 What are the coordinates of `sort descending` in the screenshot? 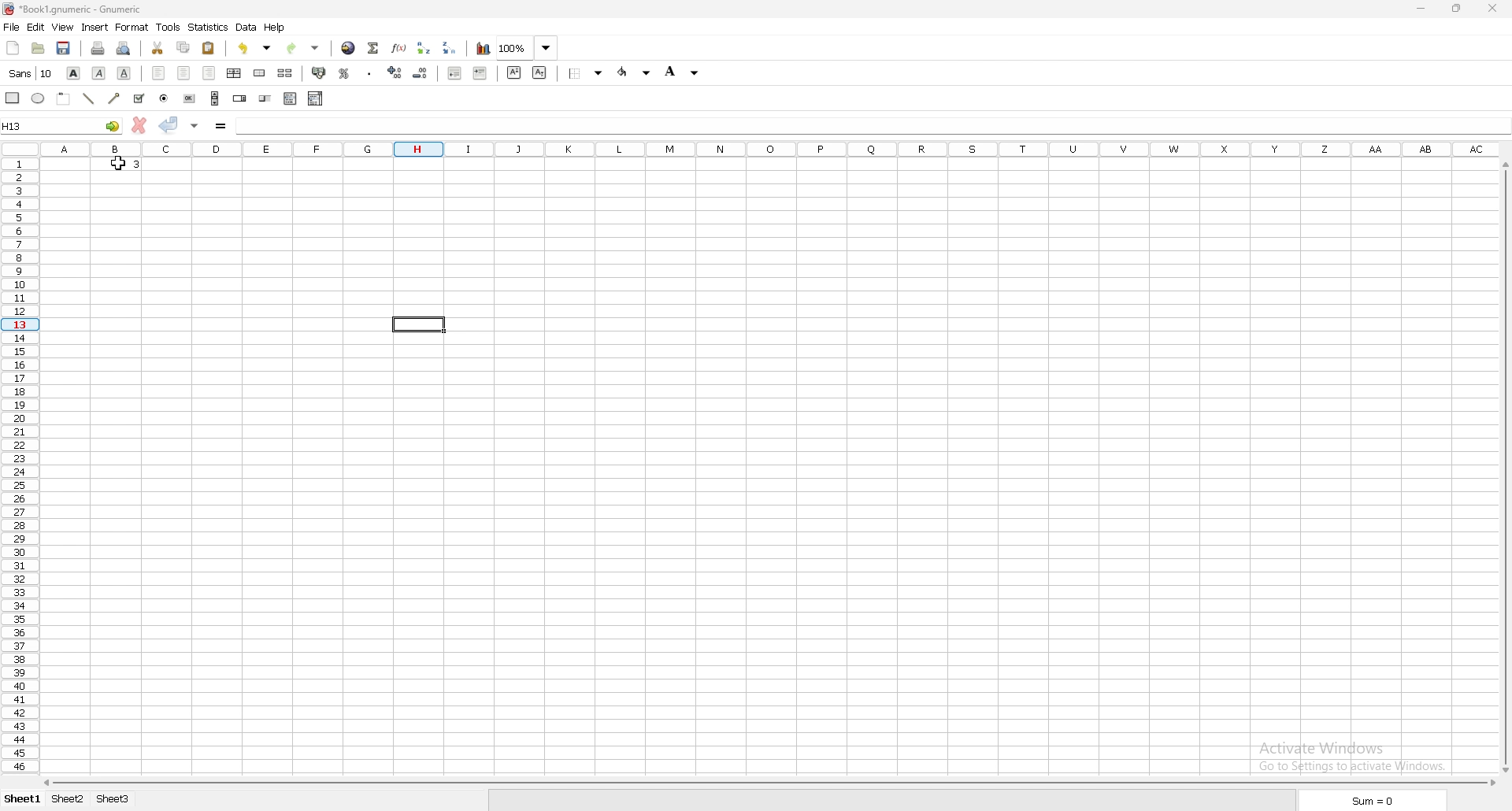 It's located at (450, 49).